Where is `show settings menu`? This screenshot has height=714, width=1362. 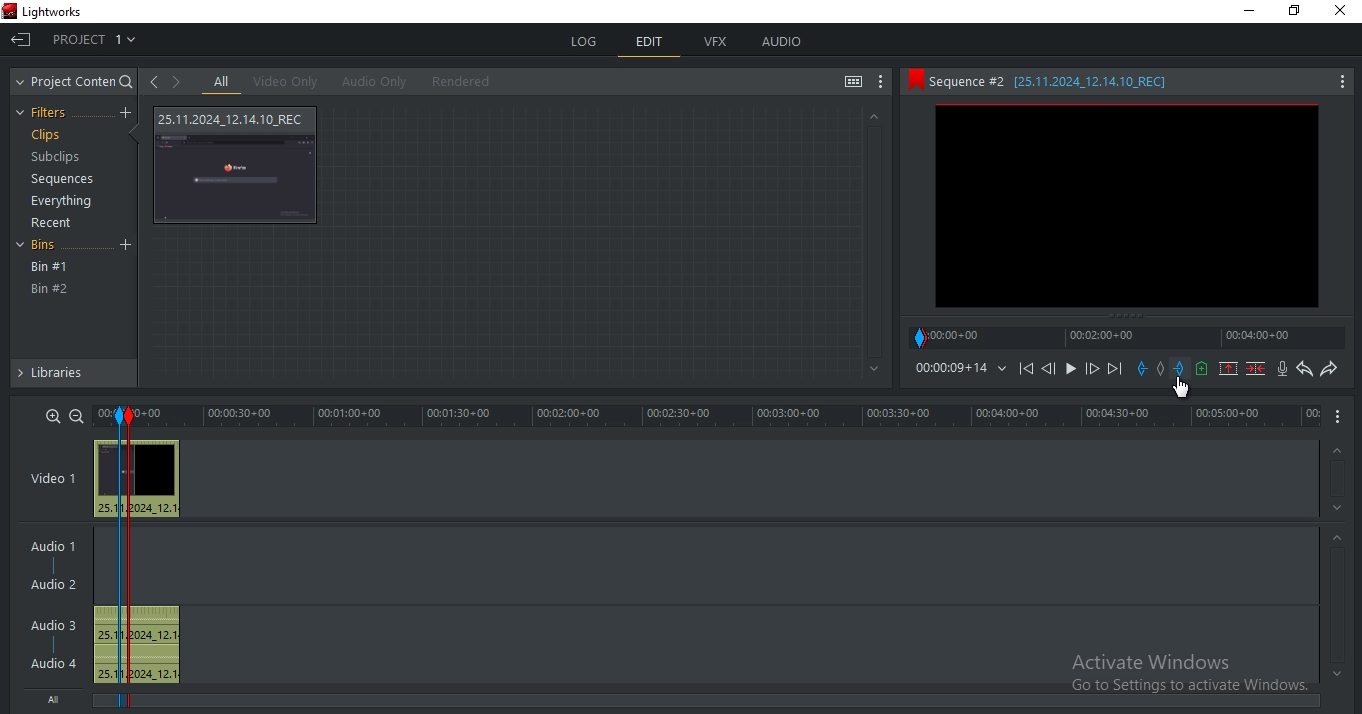 show settings menu is located at coordinates (882, 84).